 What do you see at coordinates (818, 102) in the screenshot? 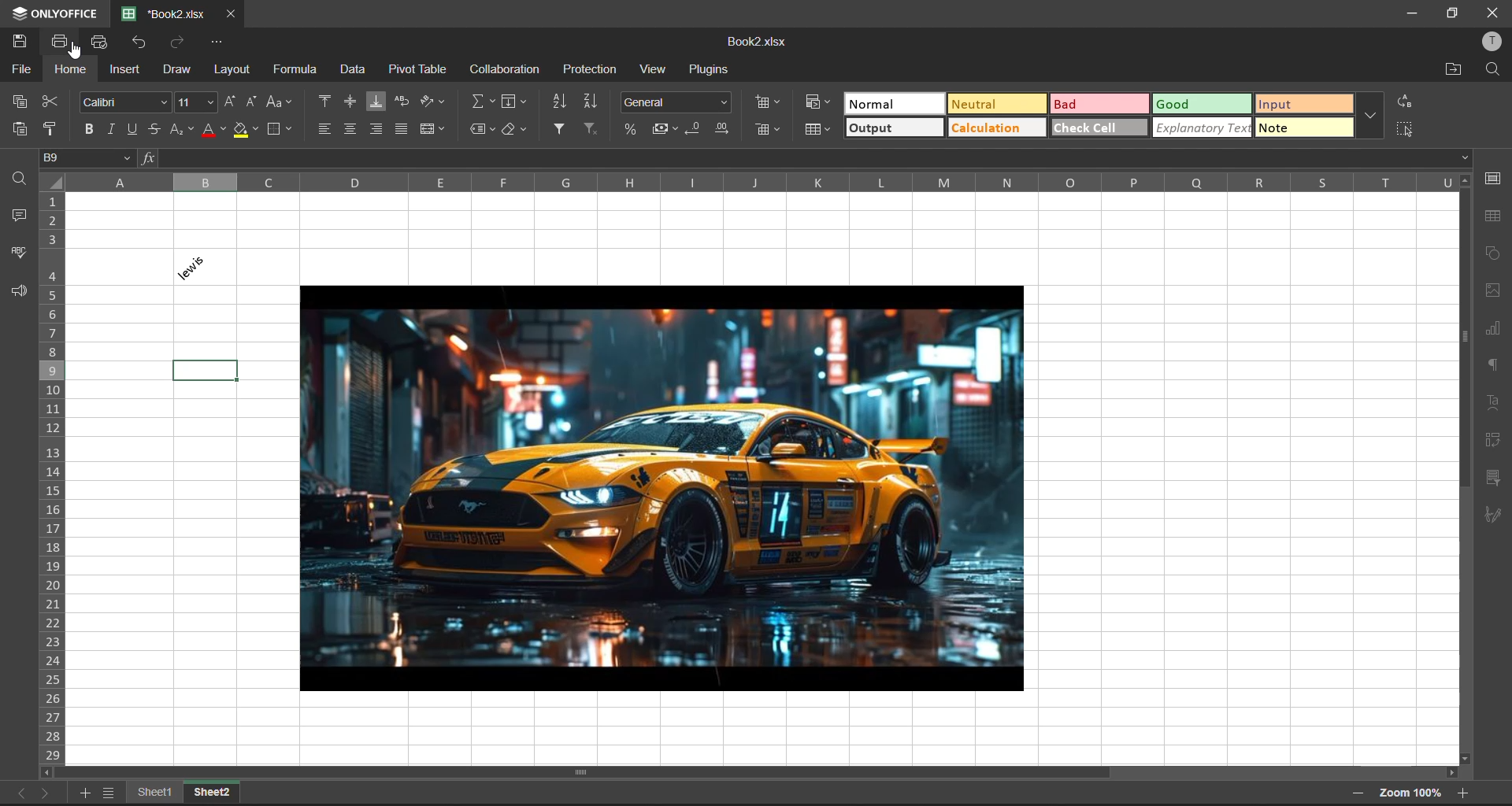
I see `conditional formatting` at bounding box center [818, 102].